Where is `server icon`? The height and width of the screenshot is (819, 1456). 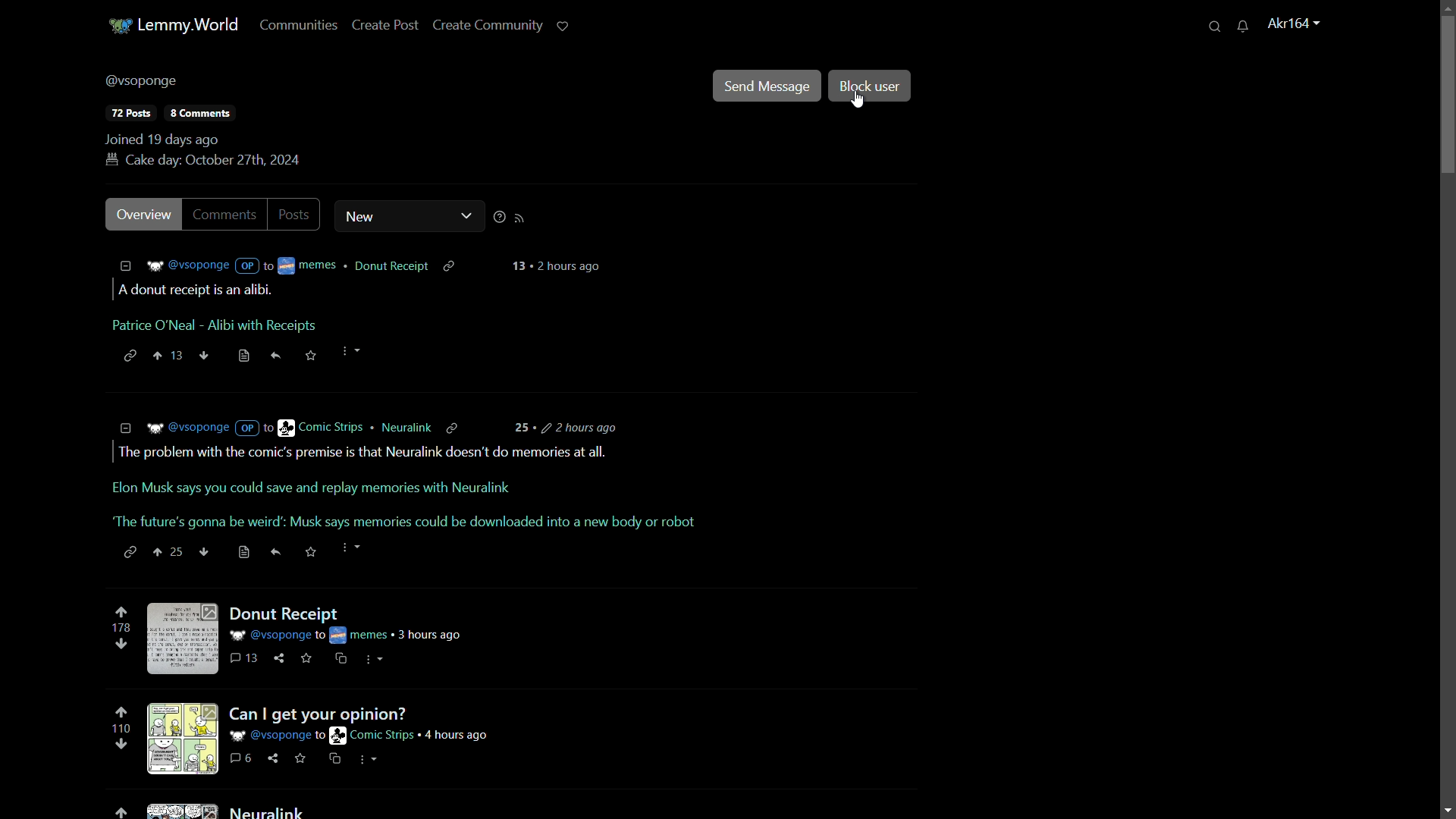
server icon is located at coordinates (118, 27).